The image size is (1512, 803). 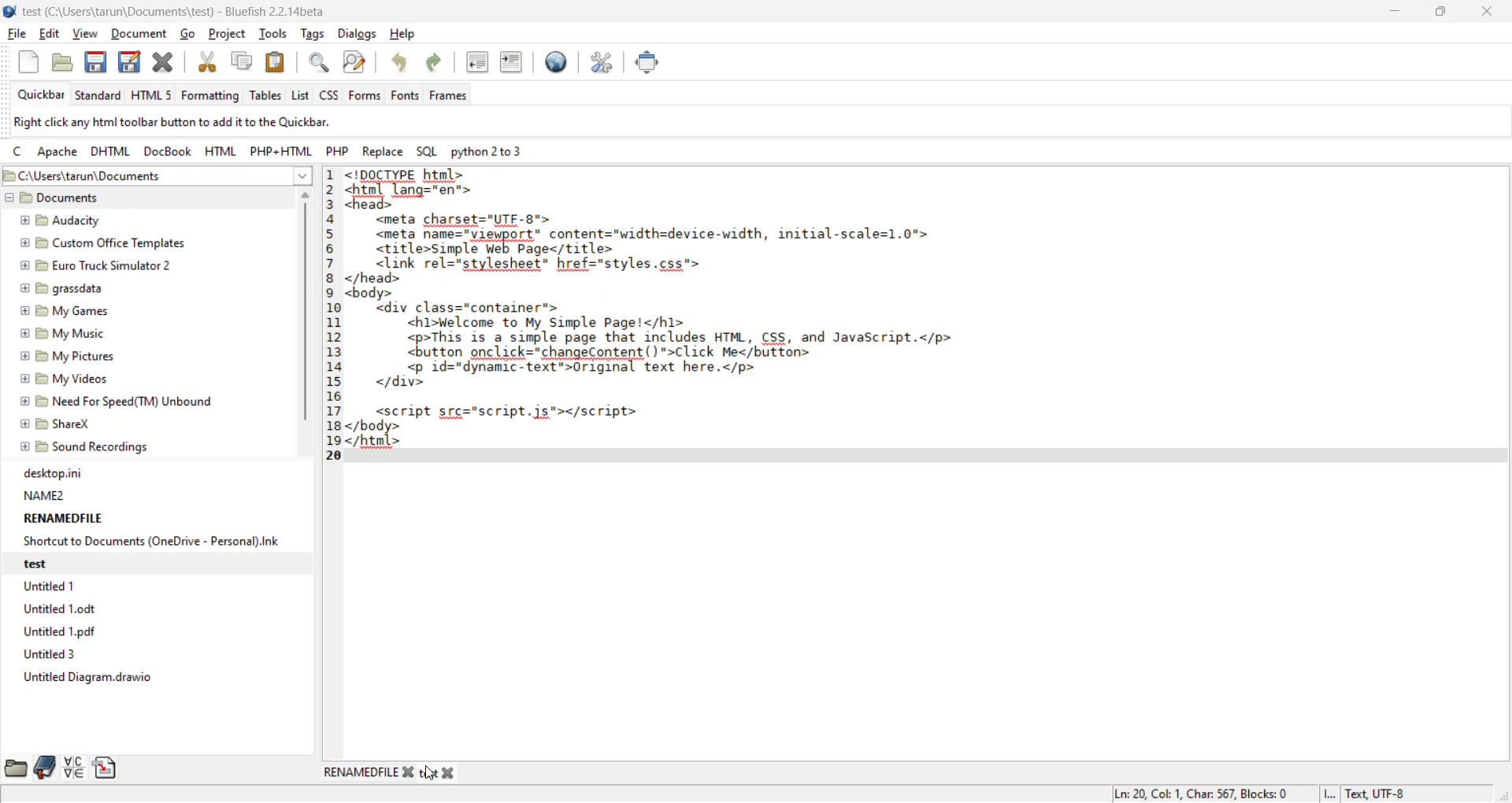 What do you see at coordinates (73, 767) in the screenshot?
I see `charmap` at bounding box center [73, 767].